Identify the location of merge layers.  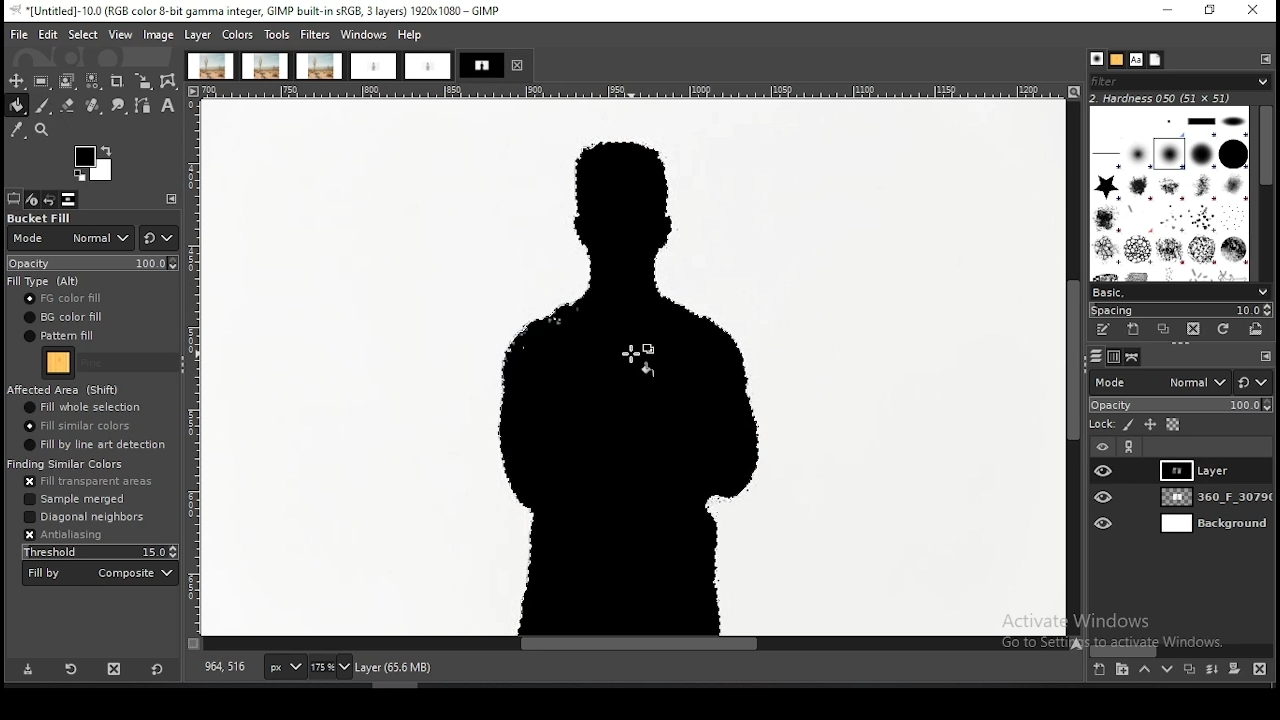
(1212, 668).